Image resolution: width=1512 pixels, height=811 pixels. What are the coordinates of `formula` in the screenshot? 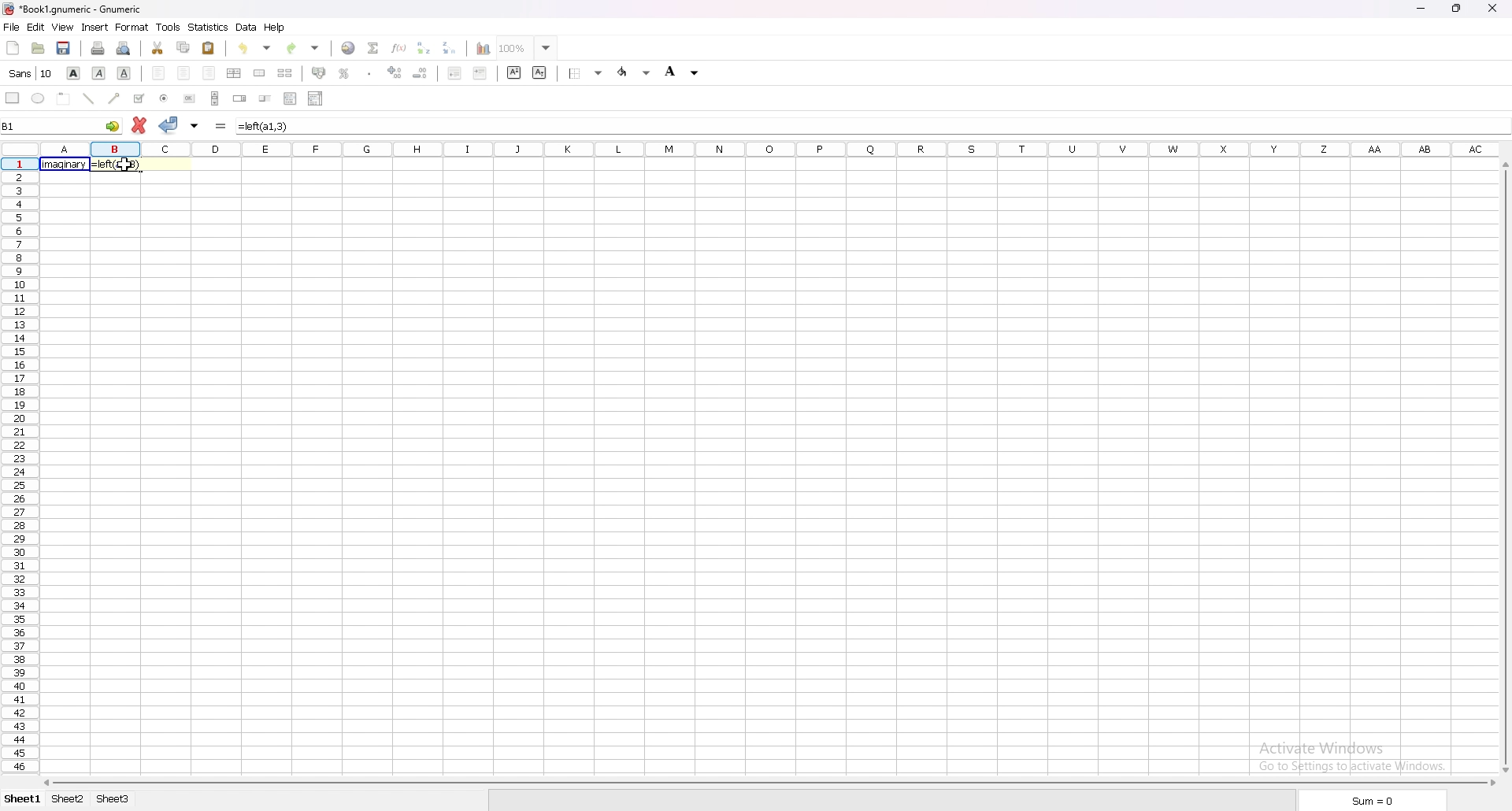 It's located at (269, 125).